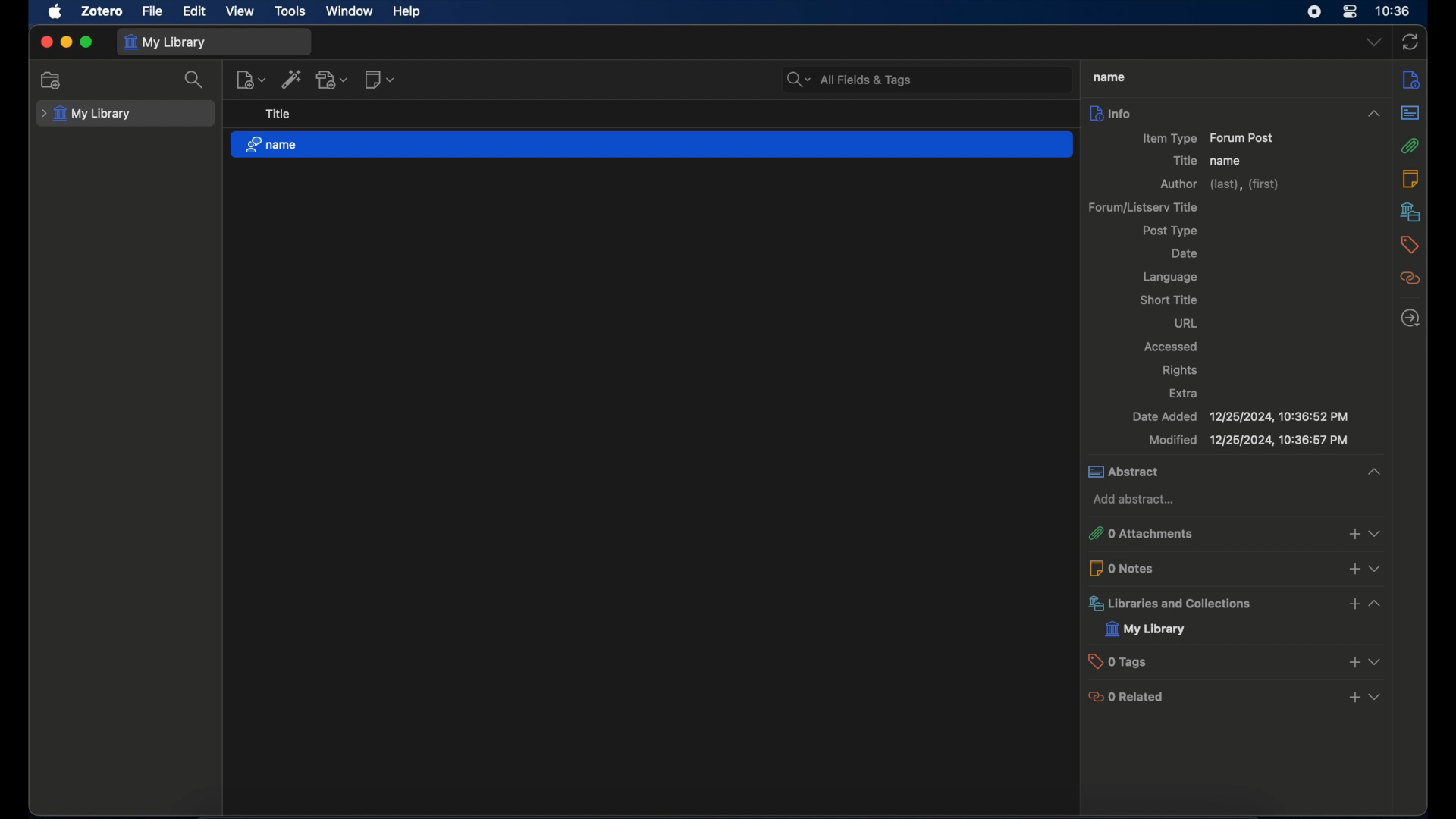 This screenshot has width=1456, height=819. I want to click on info, so click(1410, 81).